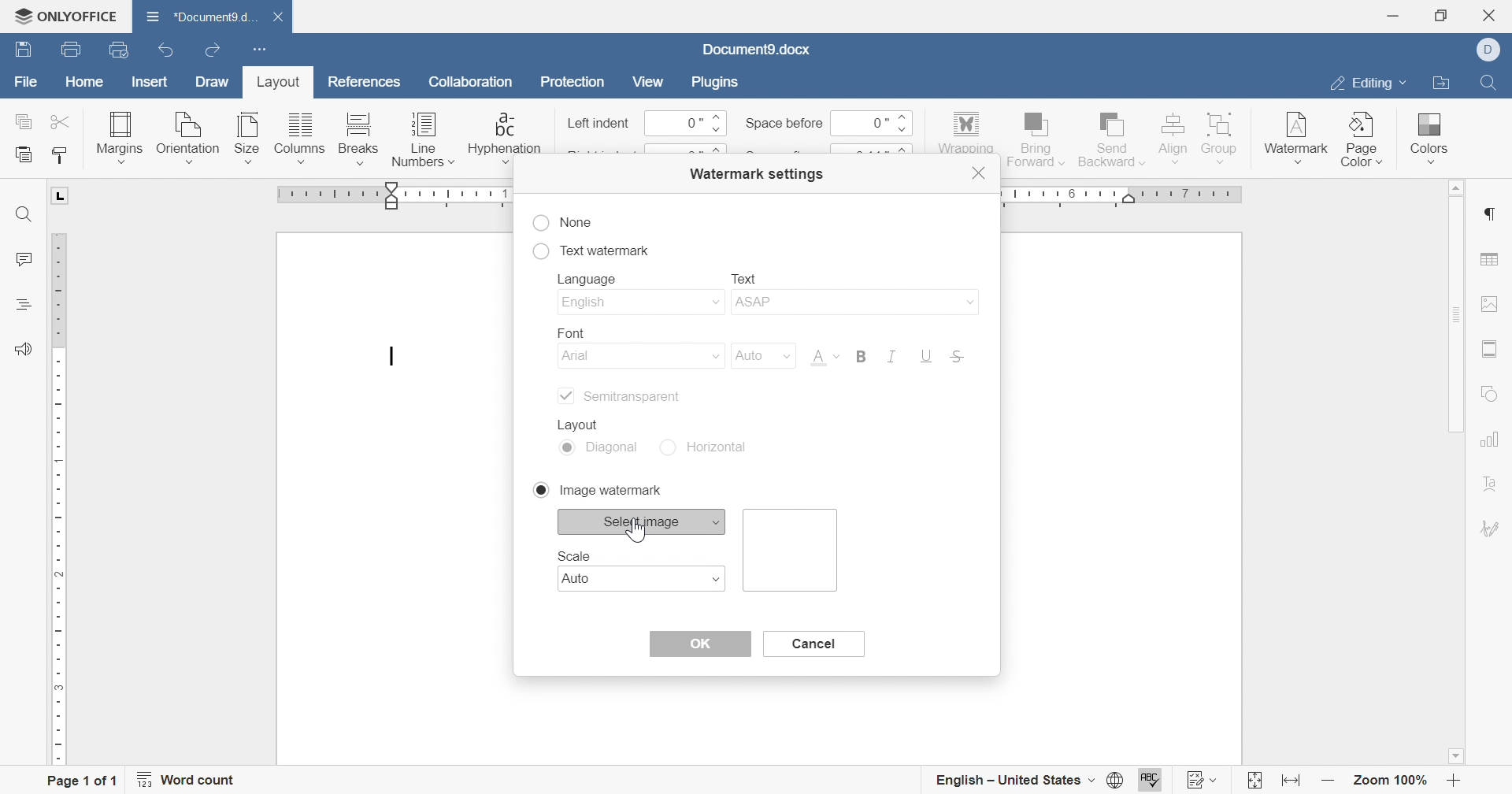  I want to click on Font, so click(823, 359).